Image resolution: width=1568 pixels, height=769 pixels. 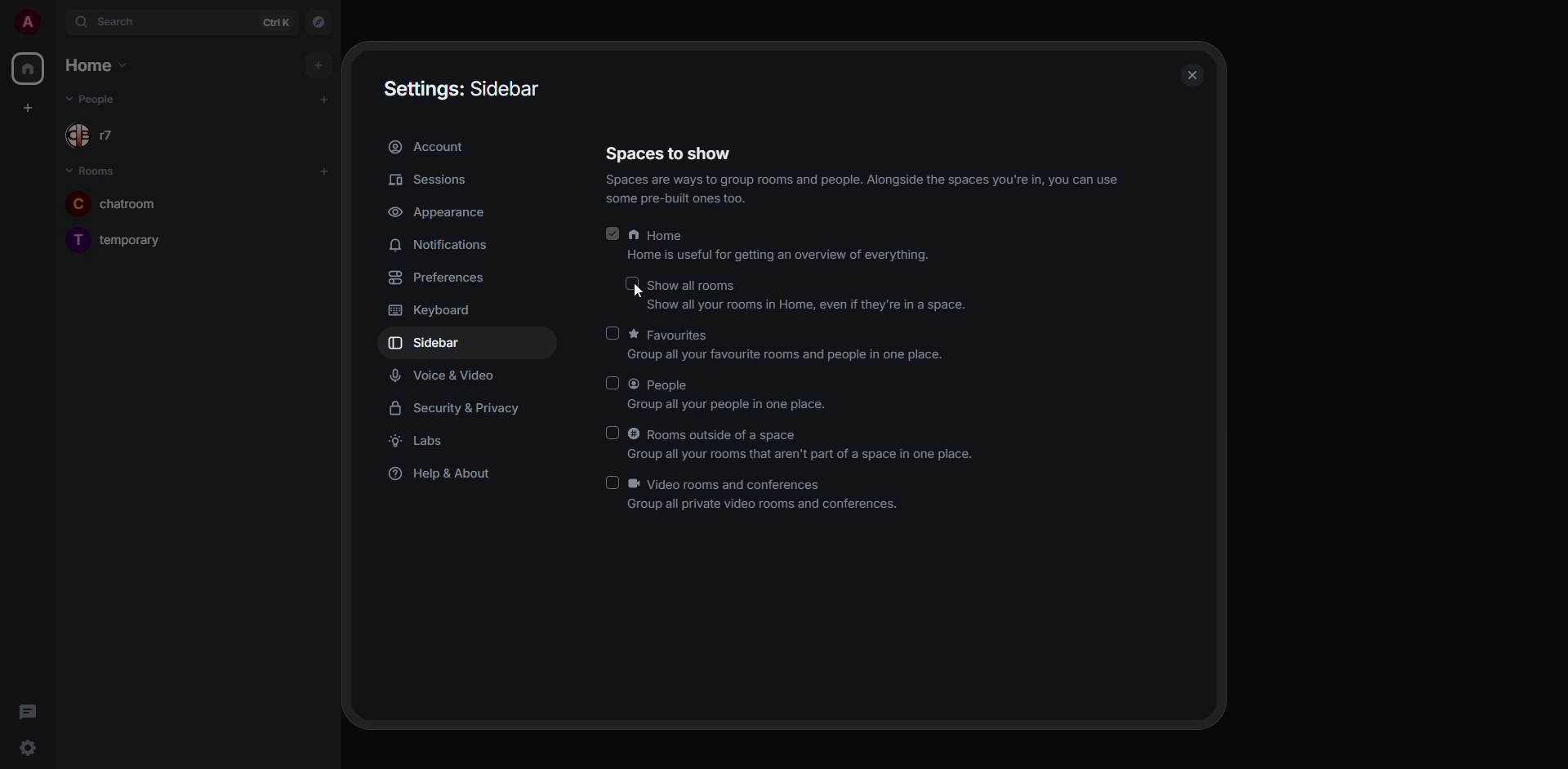 I want to click on  FavouritesGroup all your favourite rooms and people in one place., so click(x=795, y=344).